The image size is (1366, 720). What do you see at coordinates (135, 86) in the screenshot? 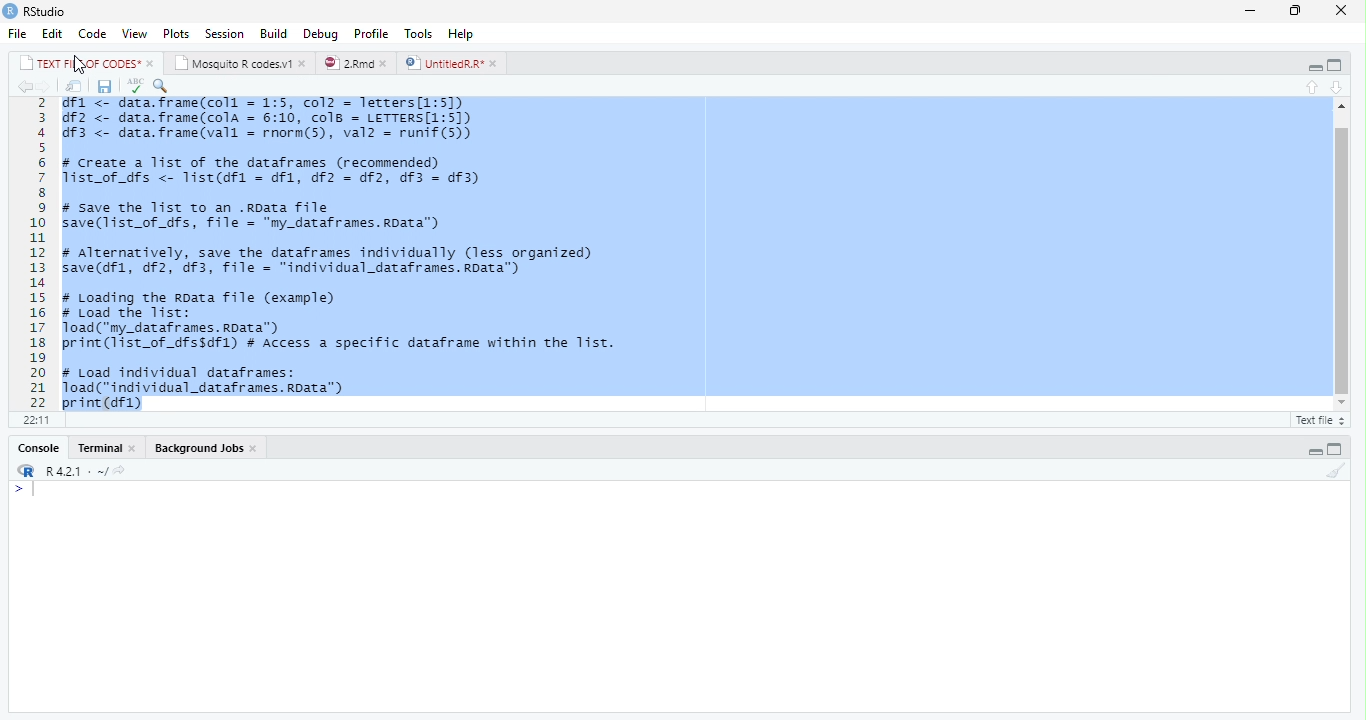
I see `spelling check` at bounding box center [135, 86].